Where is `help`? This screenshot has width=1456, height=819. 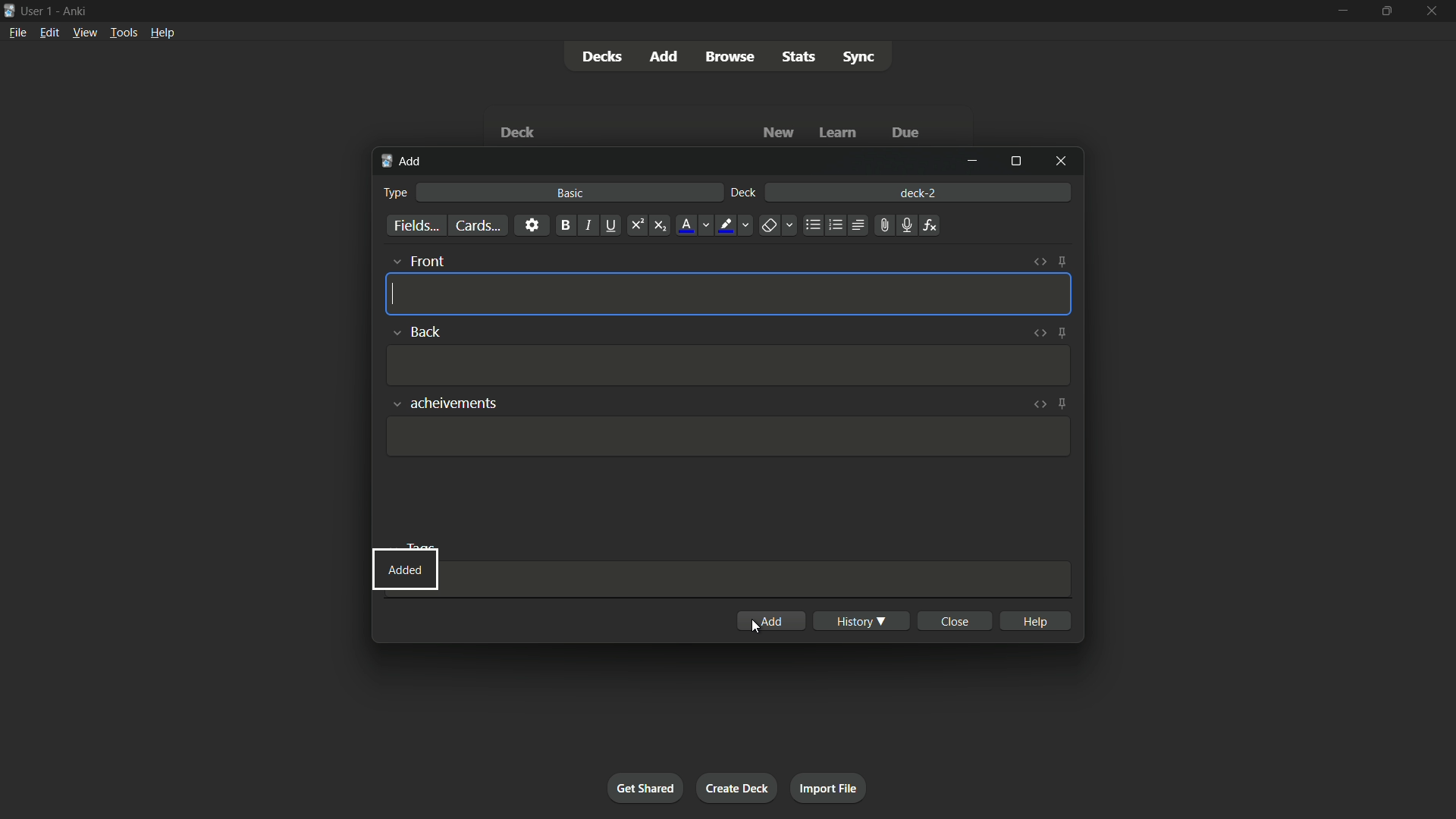 help is located at coordinates (1034, 620).